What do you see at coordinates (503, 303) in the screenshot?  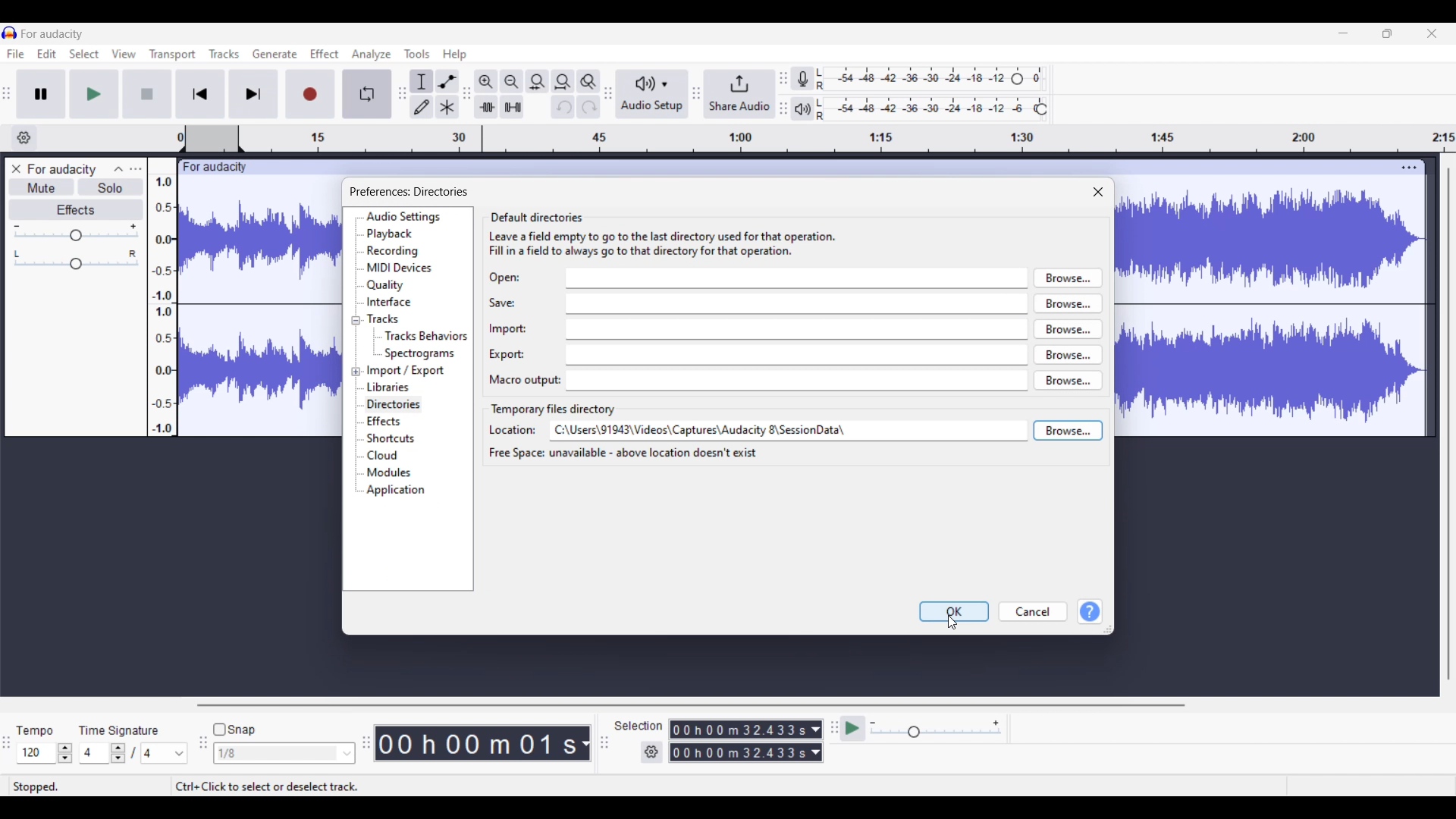 I see `Indicates text box for save` at bounding box center [503, 303].